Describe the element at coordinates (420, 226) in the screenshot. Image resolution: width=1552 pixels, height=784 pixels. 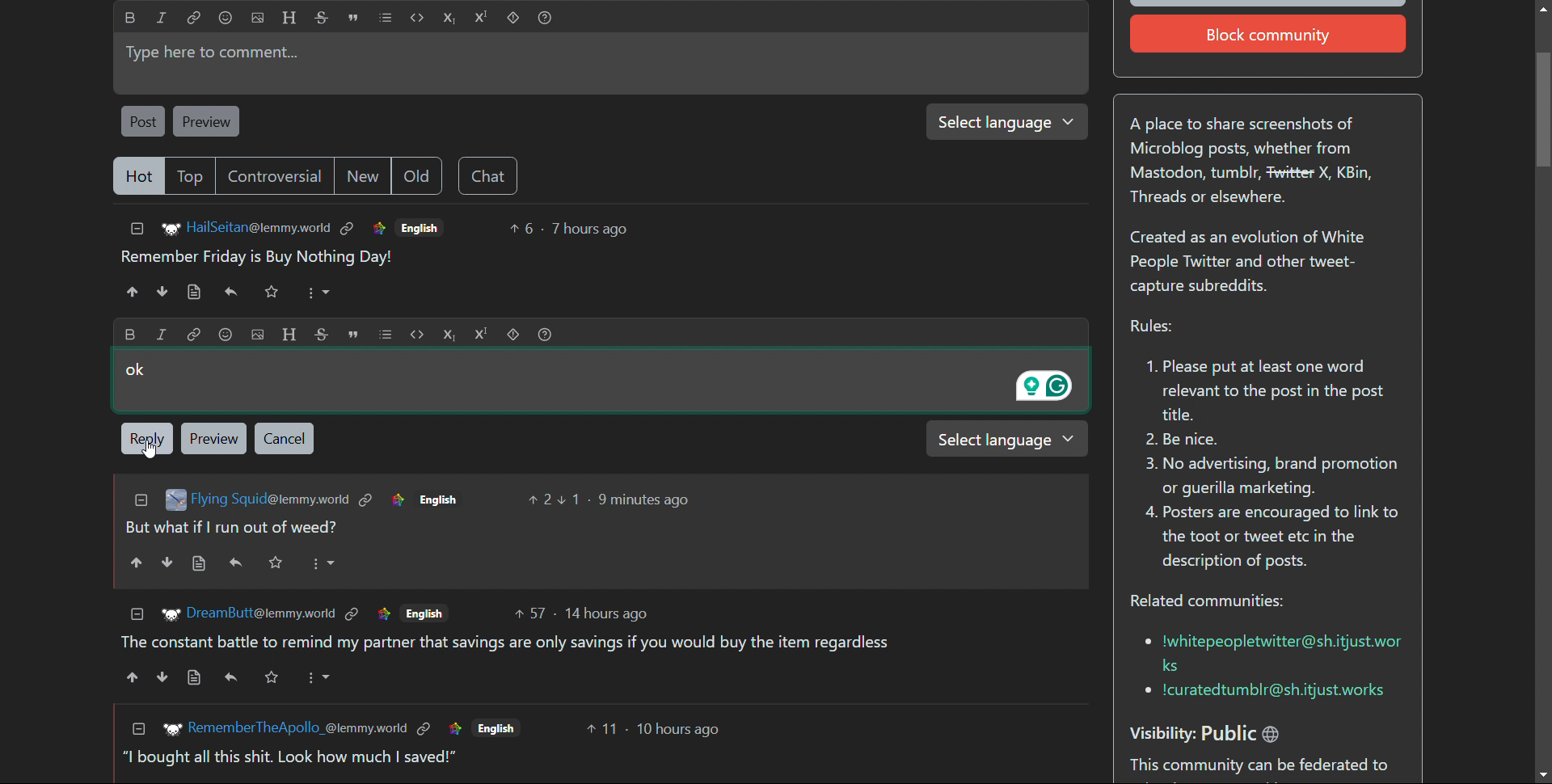
I see `language` at that location.